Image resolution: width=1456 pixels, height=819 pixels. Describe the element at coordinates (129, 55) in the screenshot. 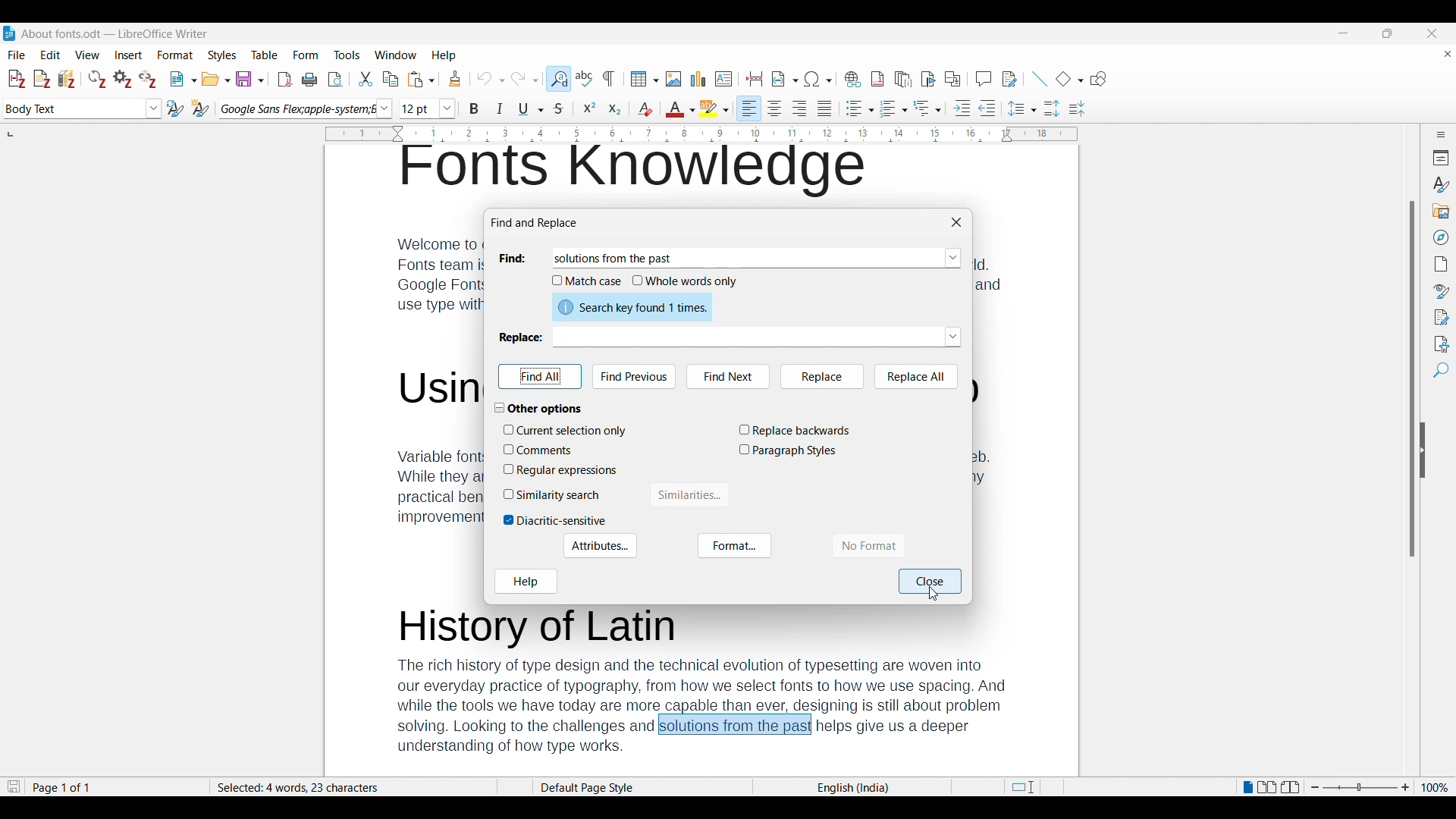

I see `Insert menu` at that location.